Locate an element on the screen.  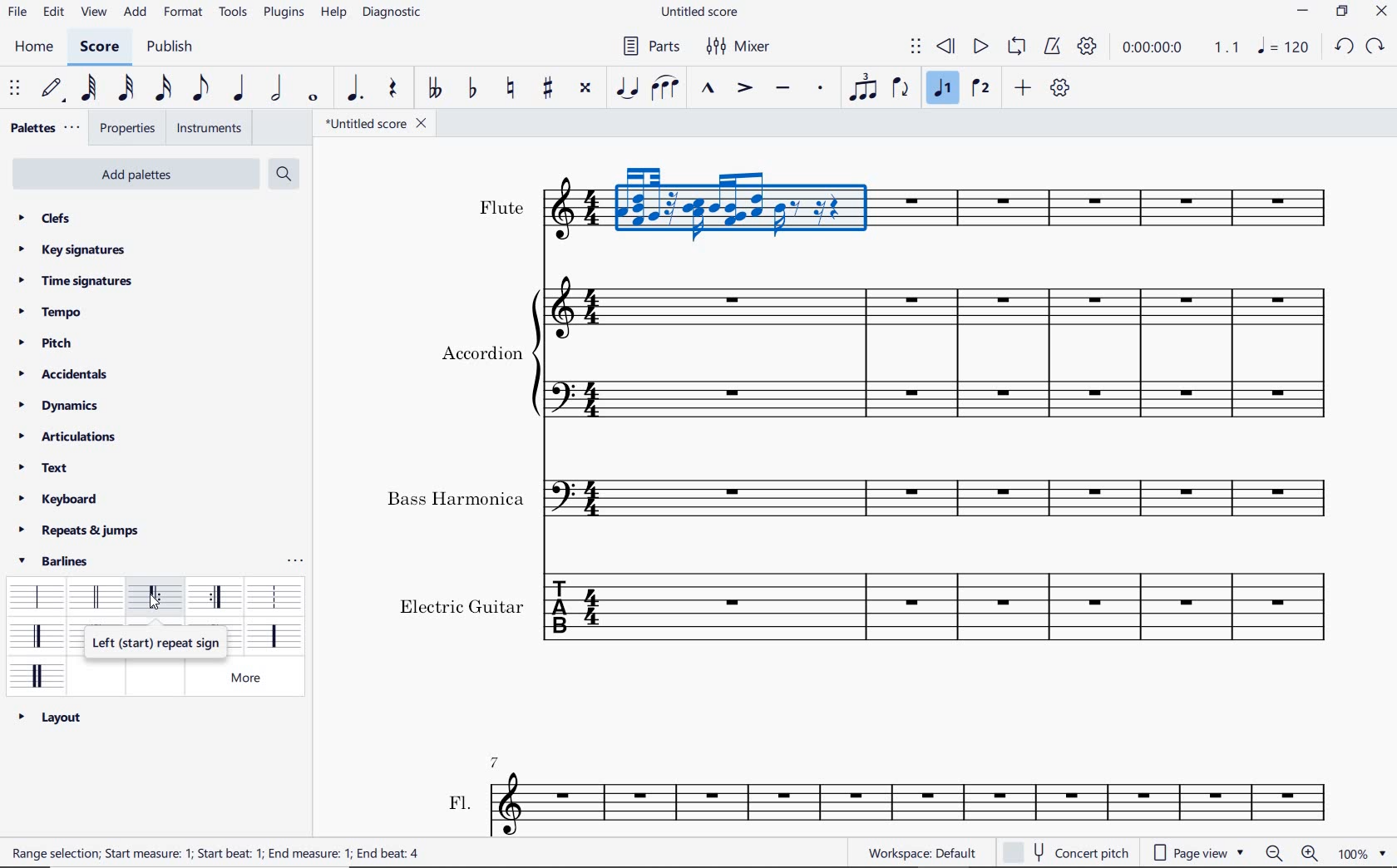
ZOOM FACTOR is located at coordinates (1361, 854).